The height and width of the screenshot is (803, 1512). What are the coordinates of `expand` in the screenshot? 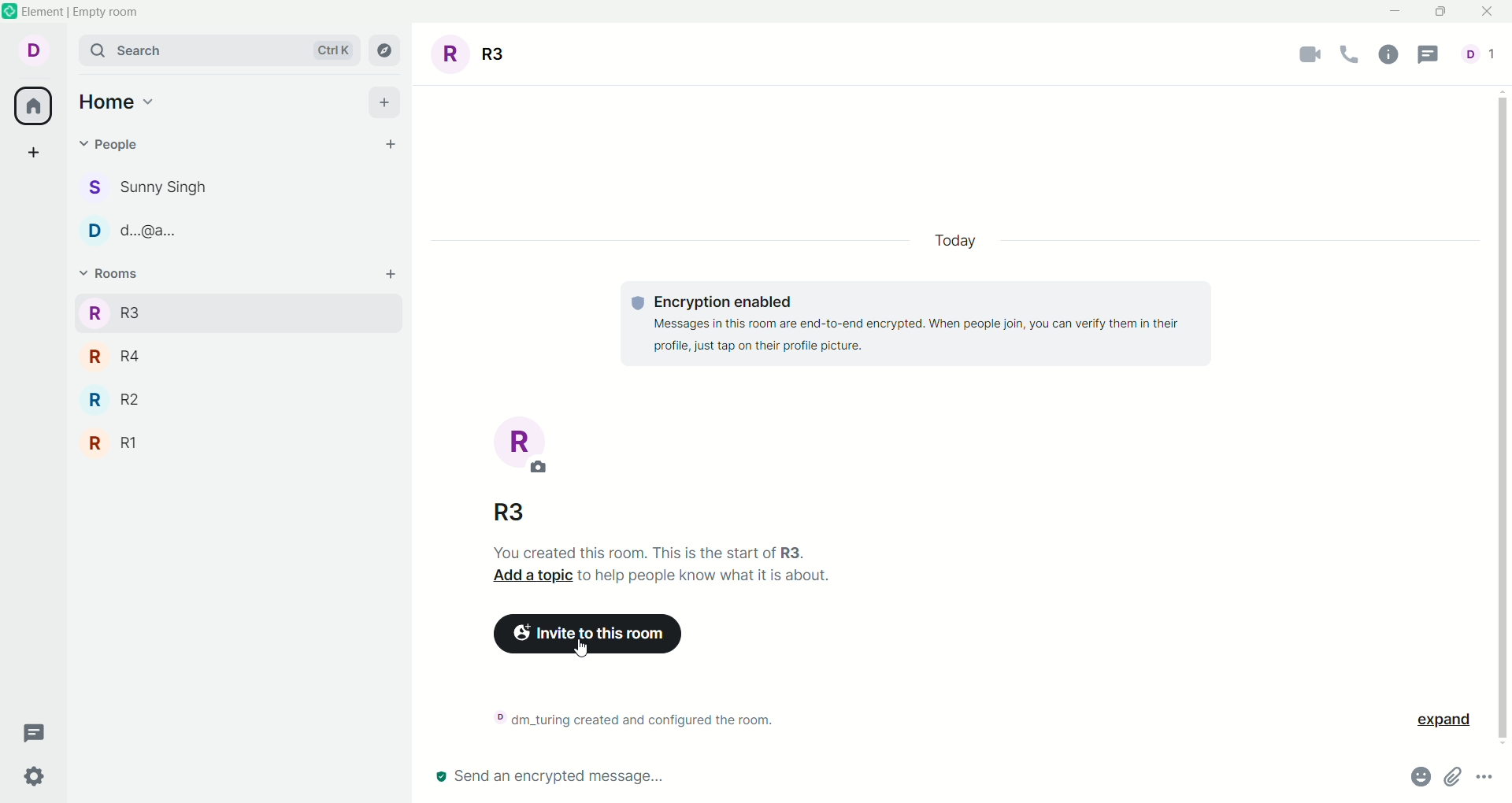 It's located at (1437, 723).